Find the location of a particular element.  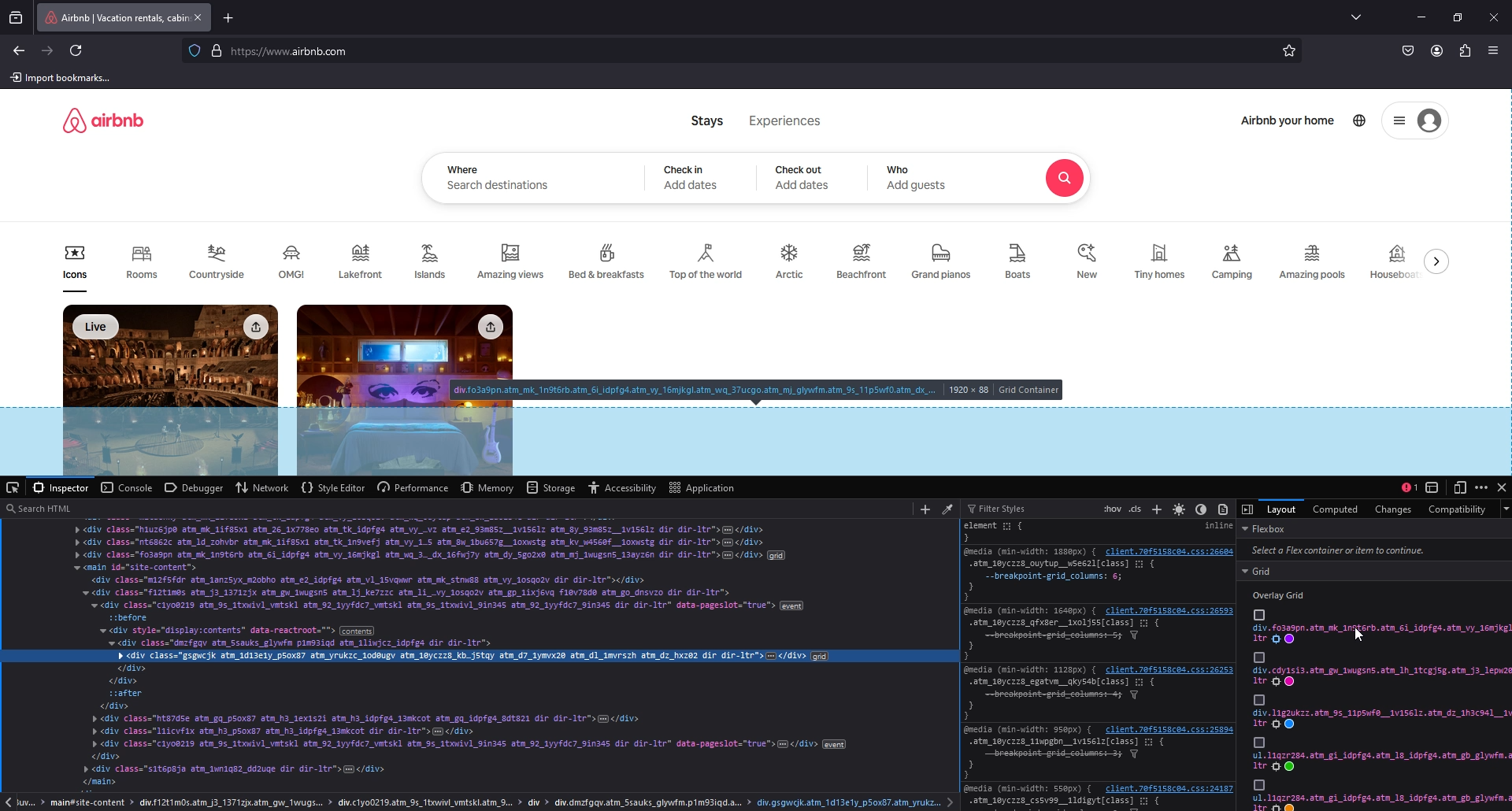

extension is located at coordinates (1465, 52).